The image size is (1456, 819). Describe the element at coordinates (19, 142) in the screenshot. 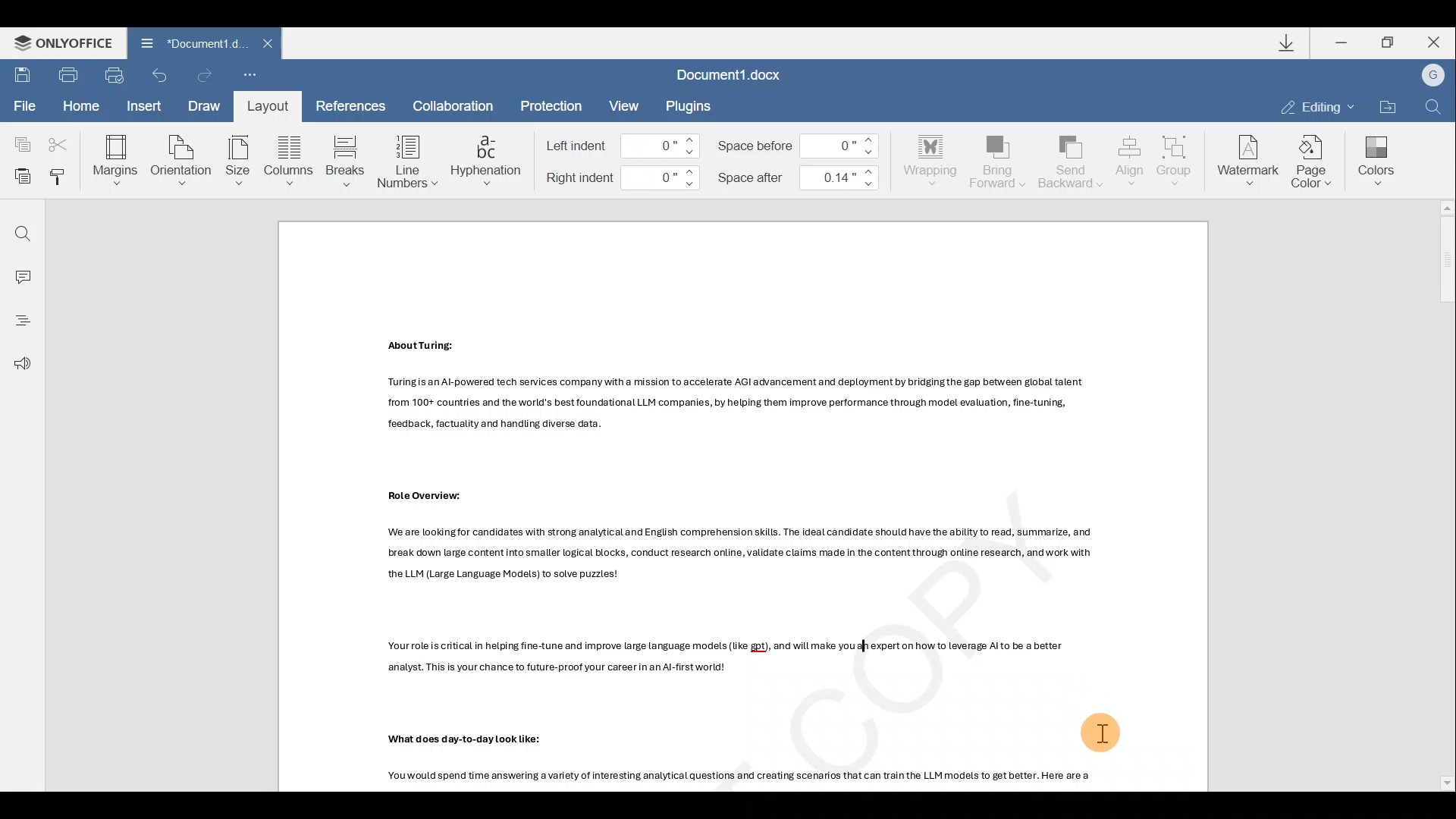

I see `Copy` at that location.